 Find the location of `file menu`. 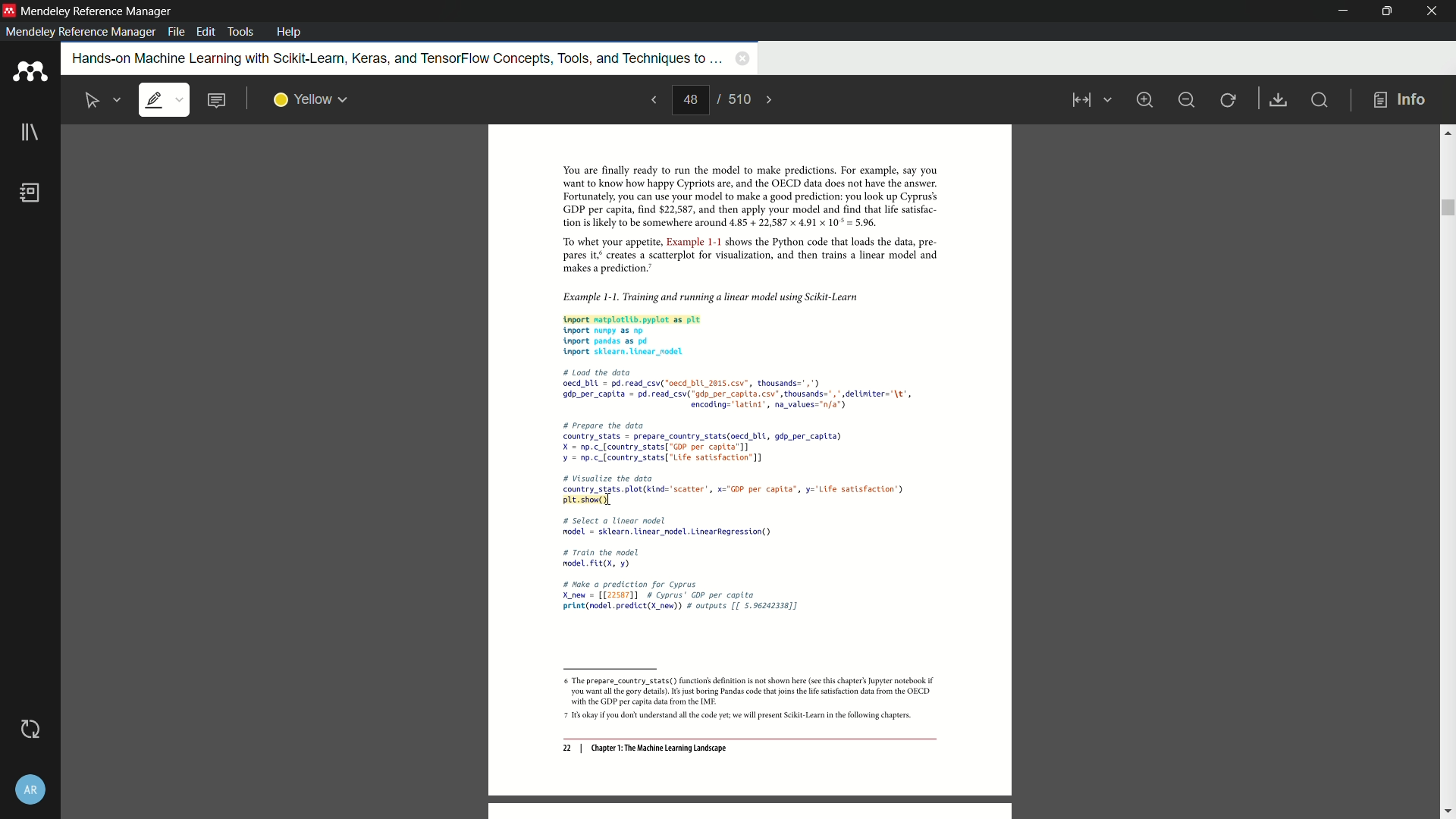

file menu is located at coordinates (176, 32).